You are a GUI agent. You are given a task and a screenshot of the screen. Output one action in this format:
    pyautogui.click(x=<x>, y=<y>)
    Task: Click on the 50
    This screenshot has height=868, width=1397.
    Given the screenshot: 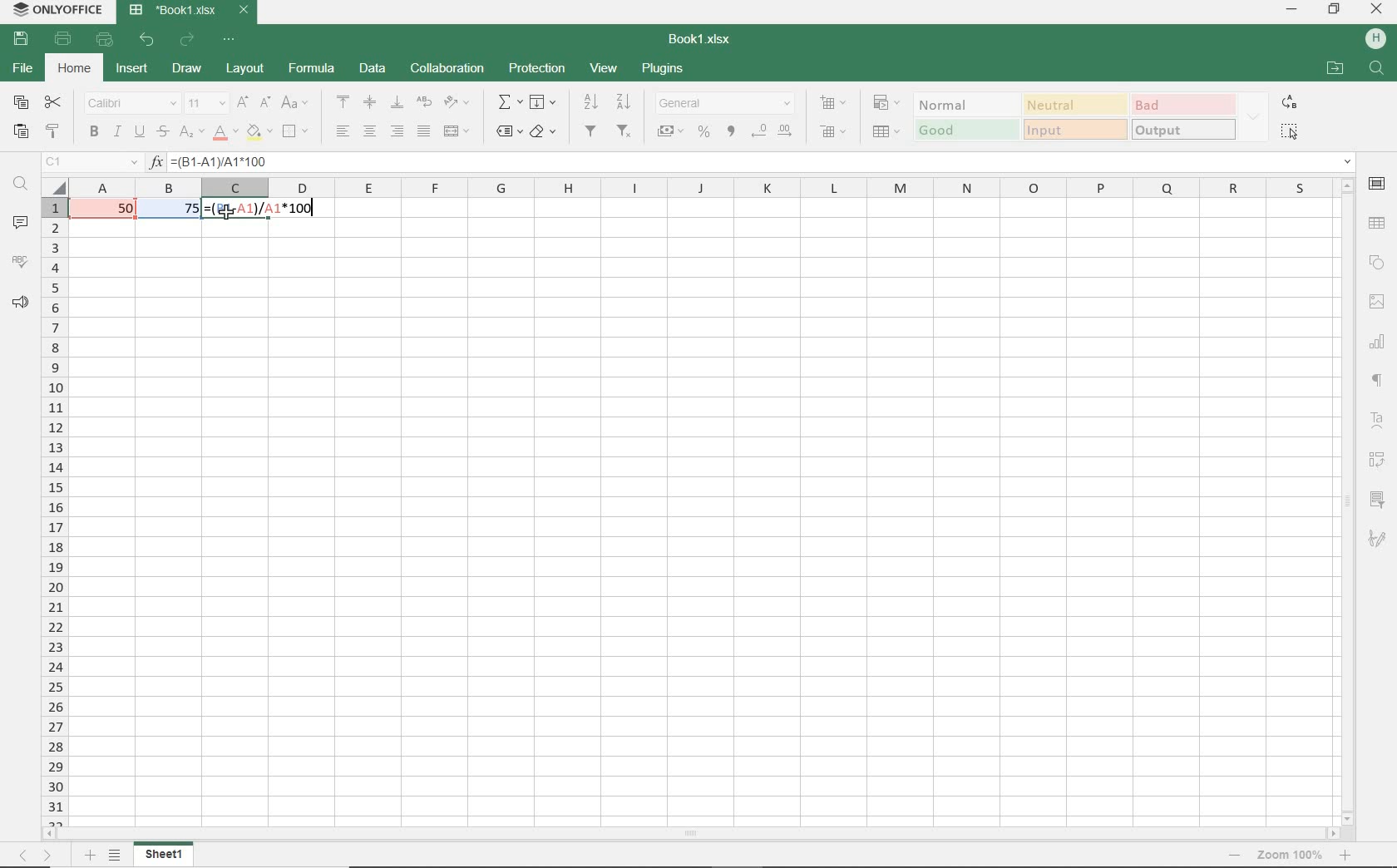 What is the action you would take?
    pyautogui.click(x=119, y=209)
    